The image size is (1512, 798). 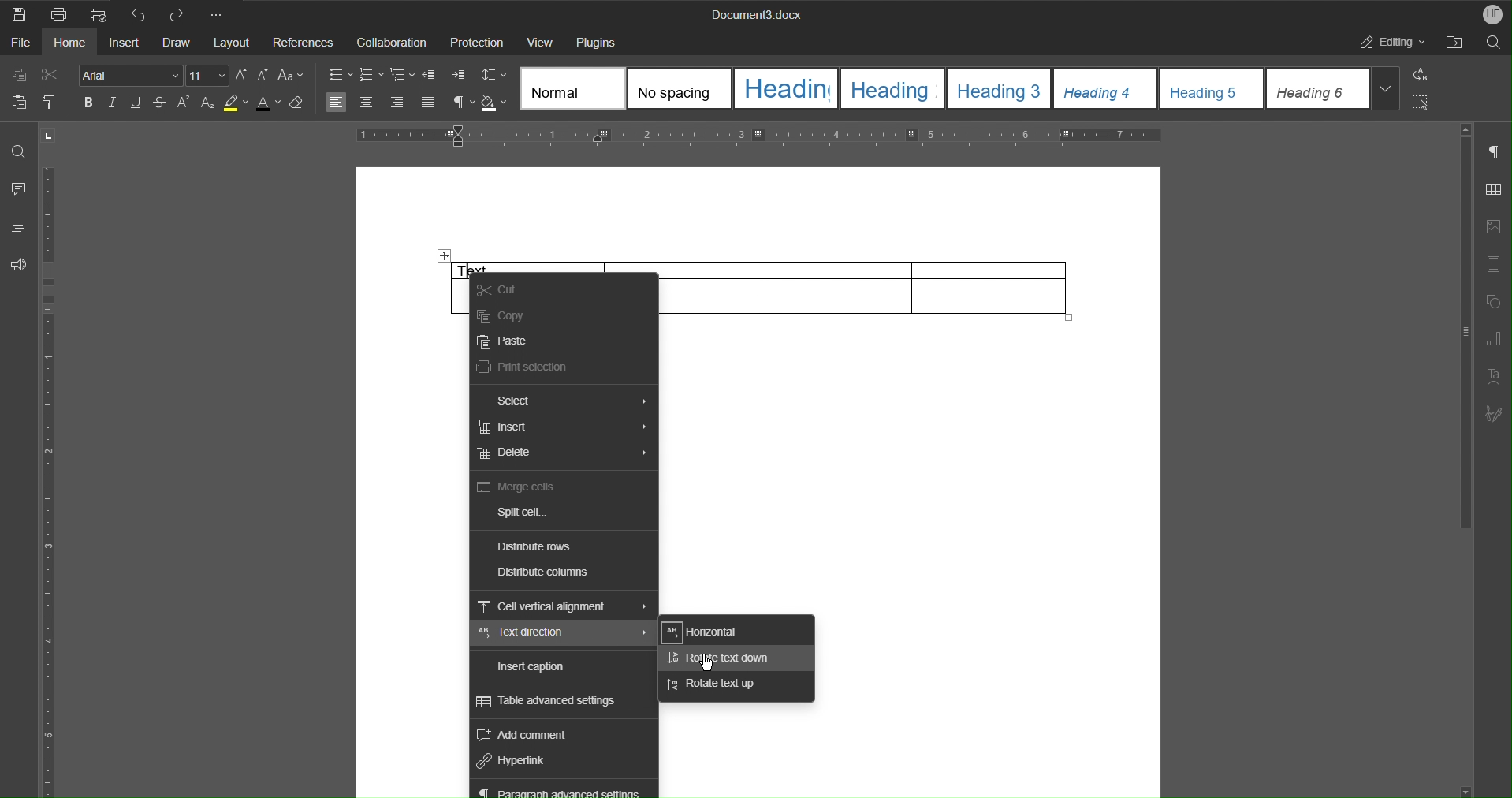 What do you see at coordinates (254, 77) in the screenshot?
I see `Font size` at bounding box center [254, 77].